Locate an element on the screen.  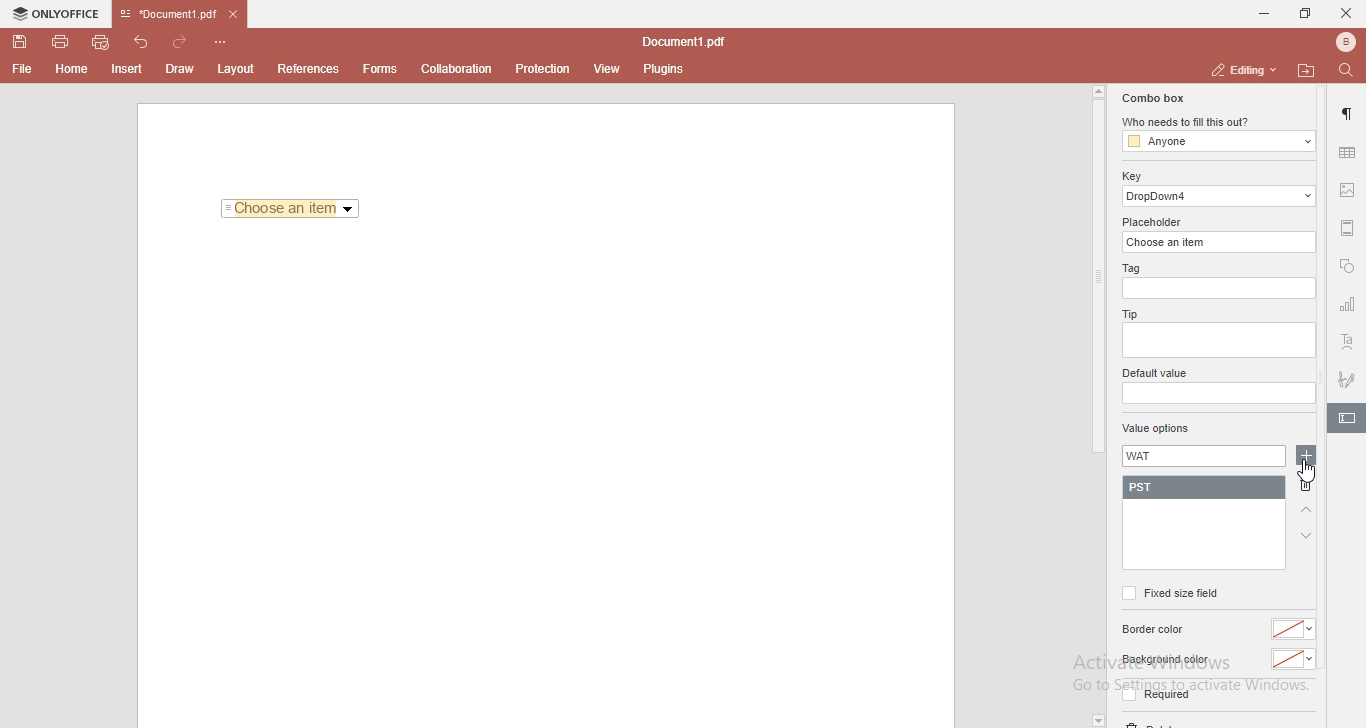
chart is located at coordinates (1348, 308).